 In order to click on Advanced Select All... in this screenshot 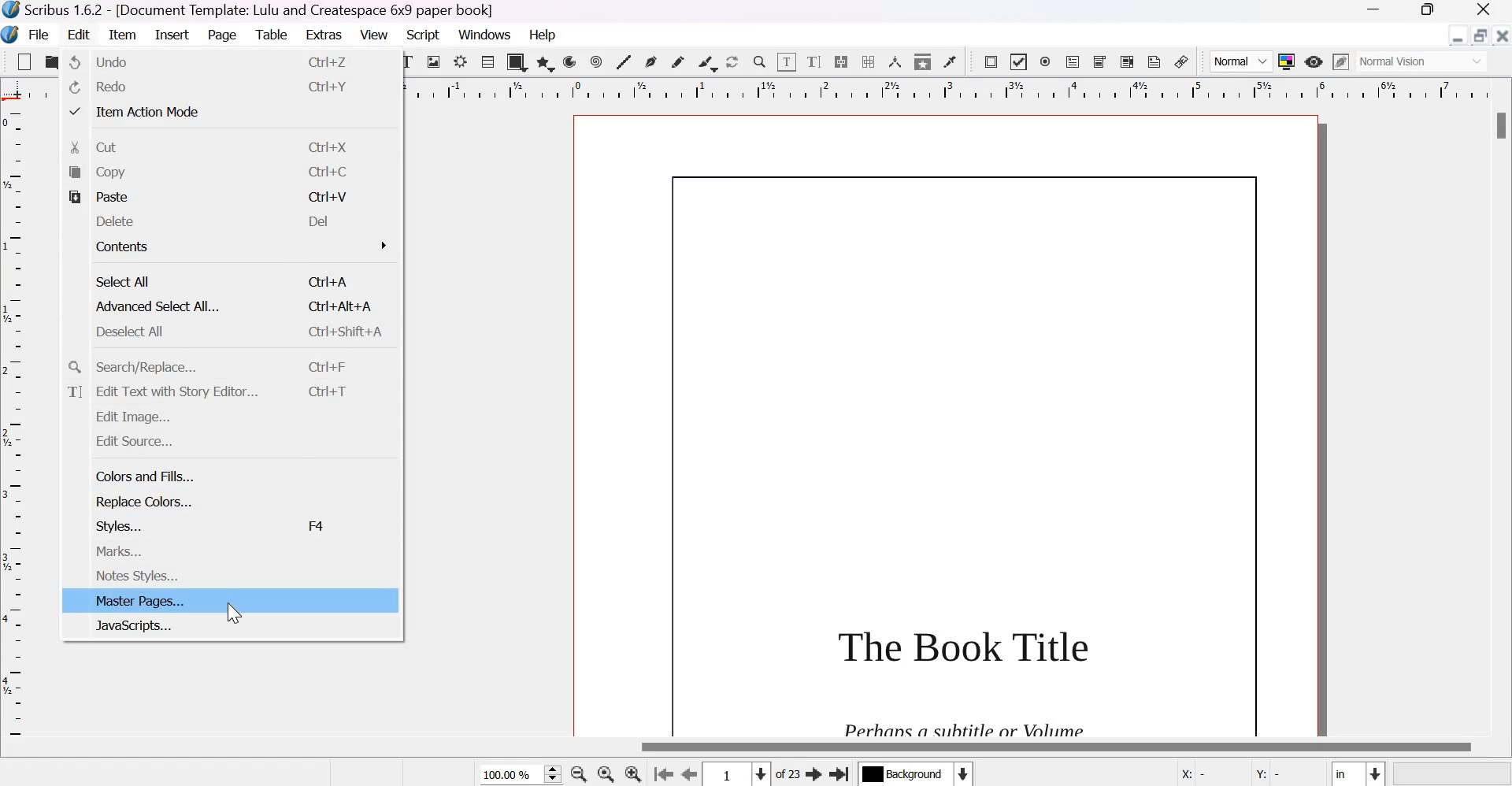, I will do `click(239, 305)`.